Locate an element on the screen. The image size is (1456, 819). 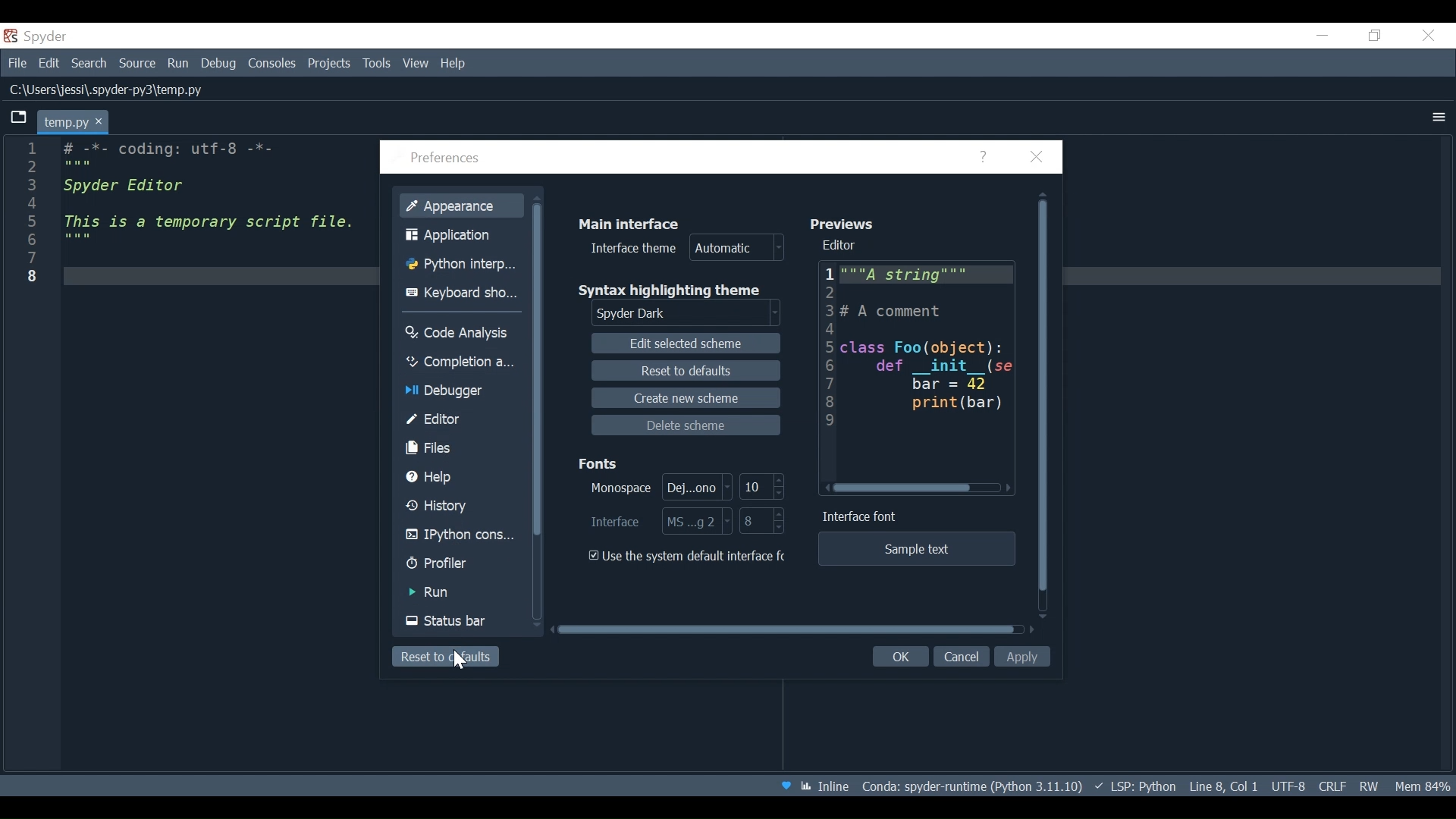
Projects is located at coordinates (329, 64).